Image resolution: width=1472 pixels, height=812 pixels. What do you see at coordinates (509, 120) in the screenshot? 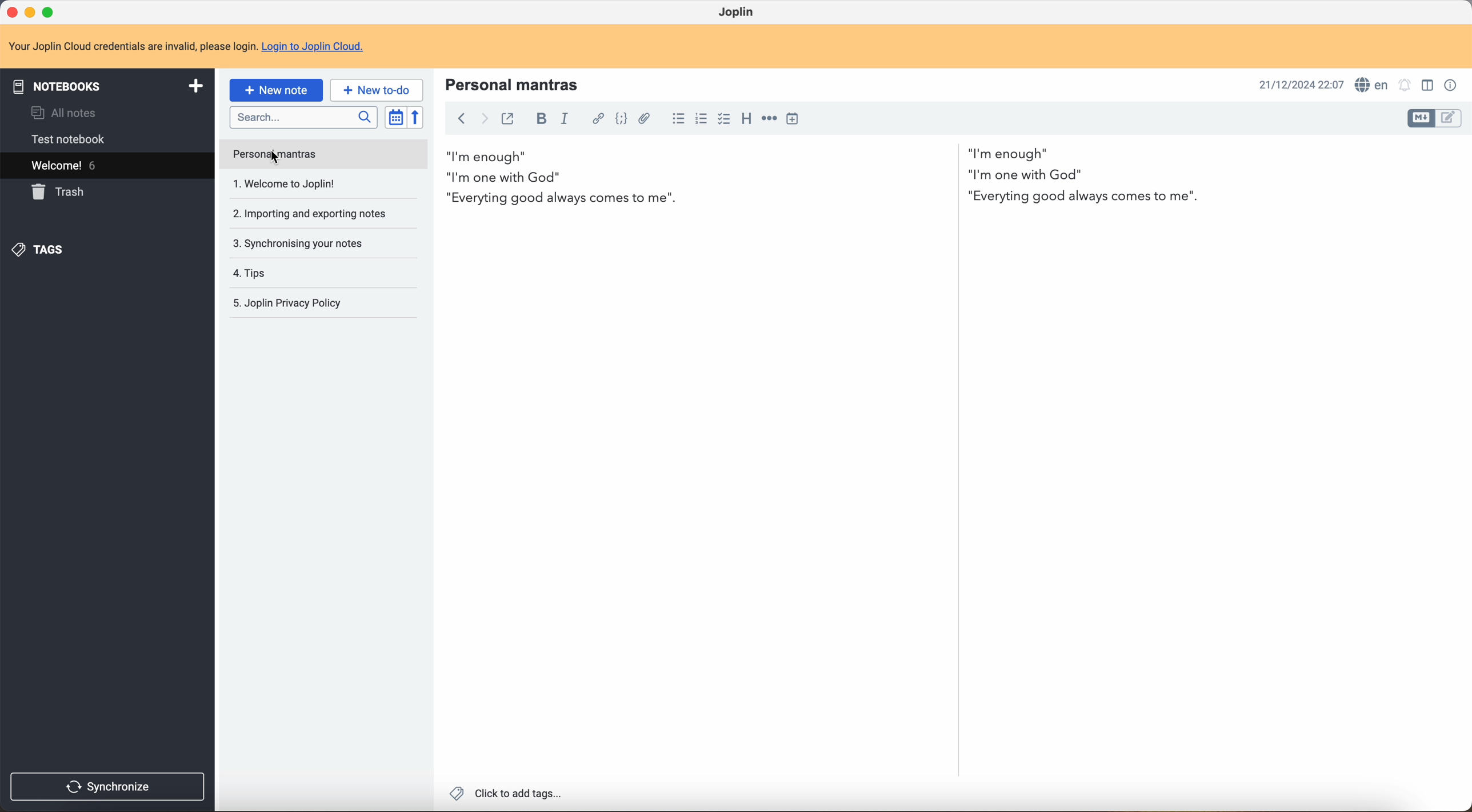
I see `toggle external editing` at bounding box center [509, 120].